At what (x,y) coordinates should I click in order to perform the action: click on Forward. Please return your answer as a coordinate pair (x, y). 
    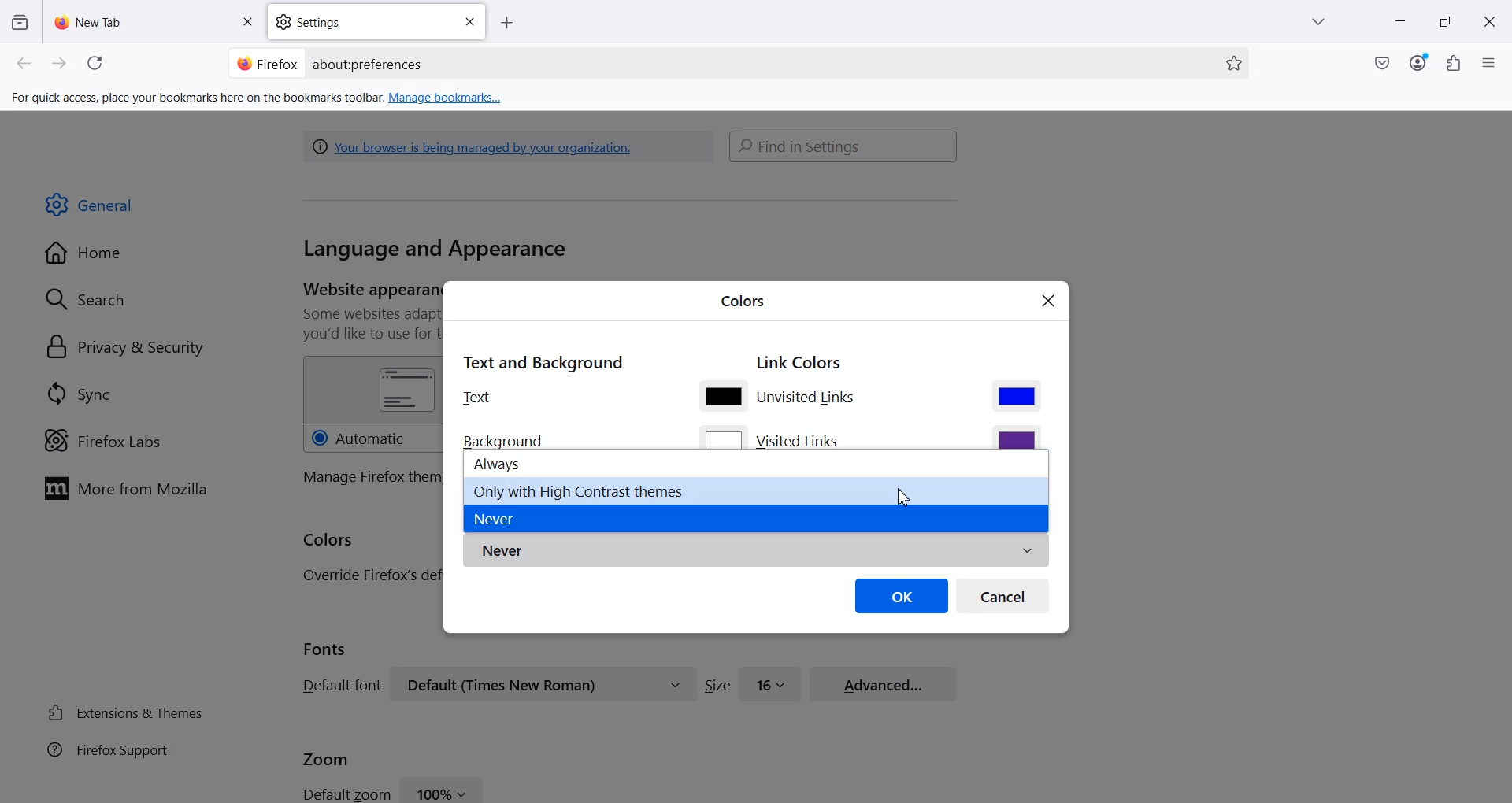
    Looking at the image, I should click on (60, 64).